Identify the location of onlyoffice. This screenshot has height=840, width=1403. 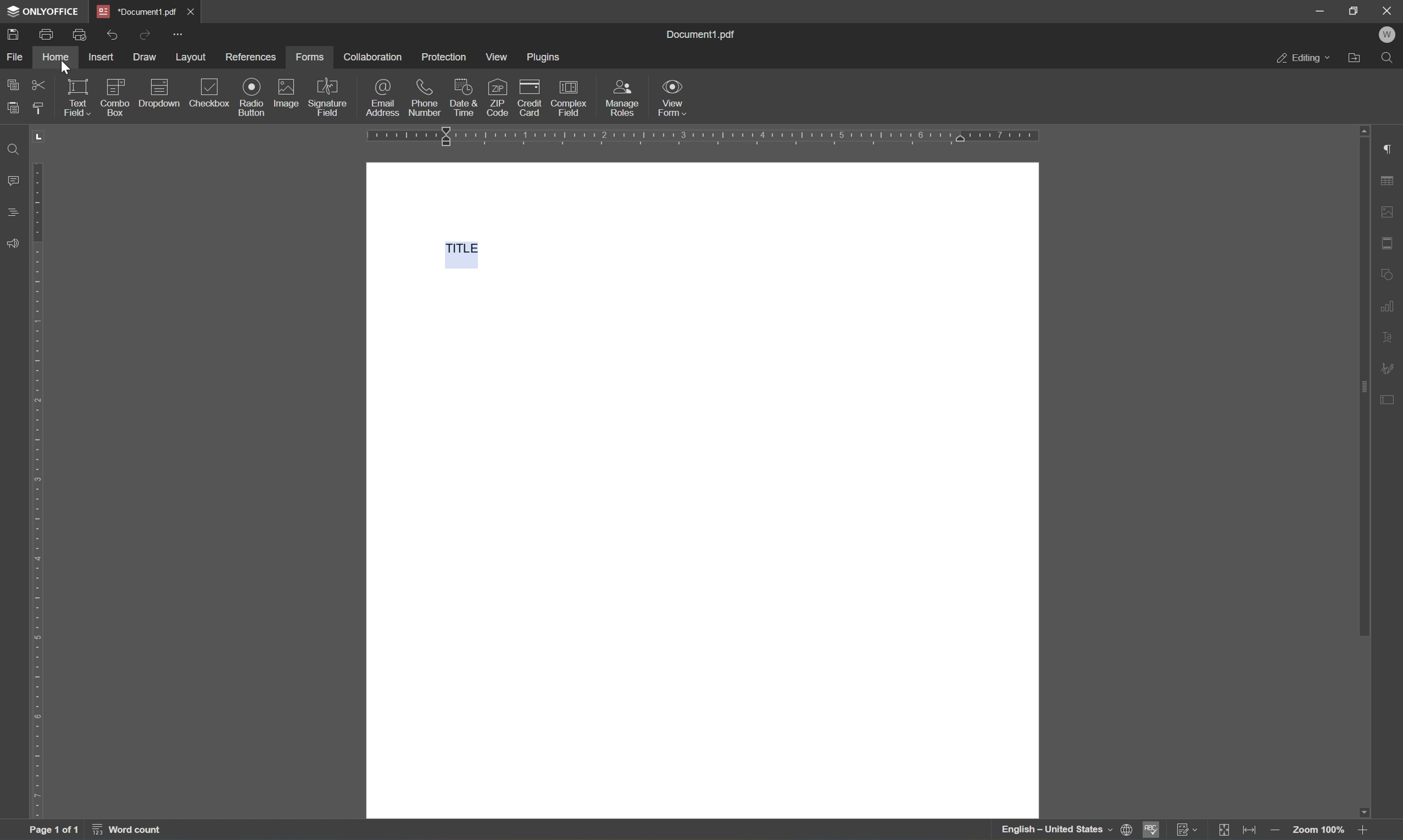
(44, 12).